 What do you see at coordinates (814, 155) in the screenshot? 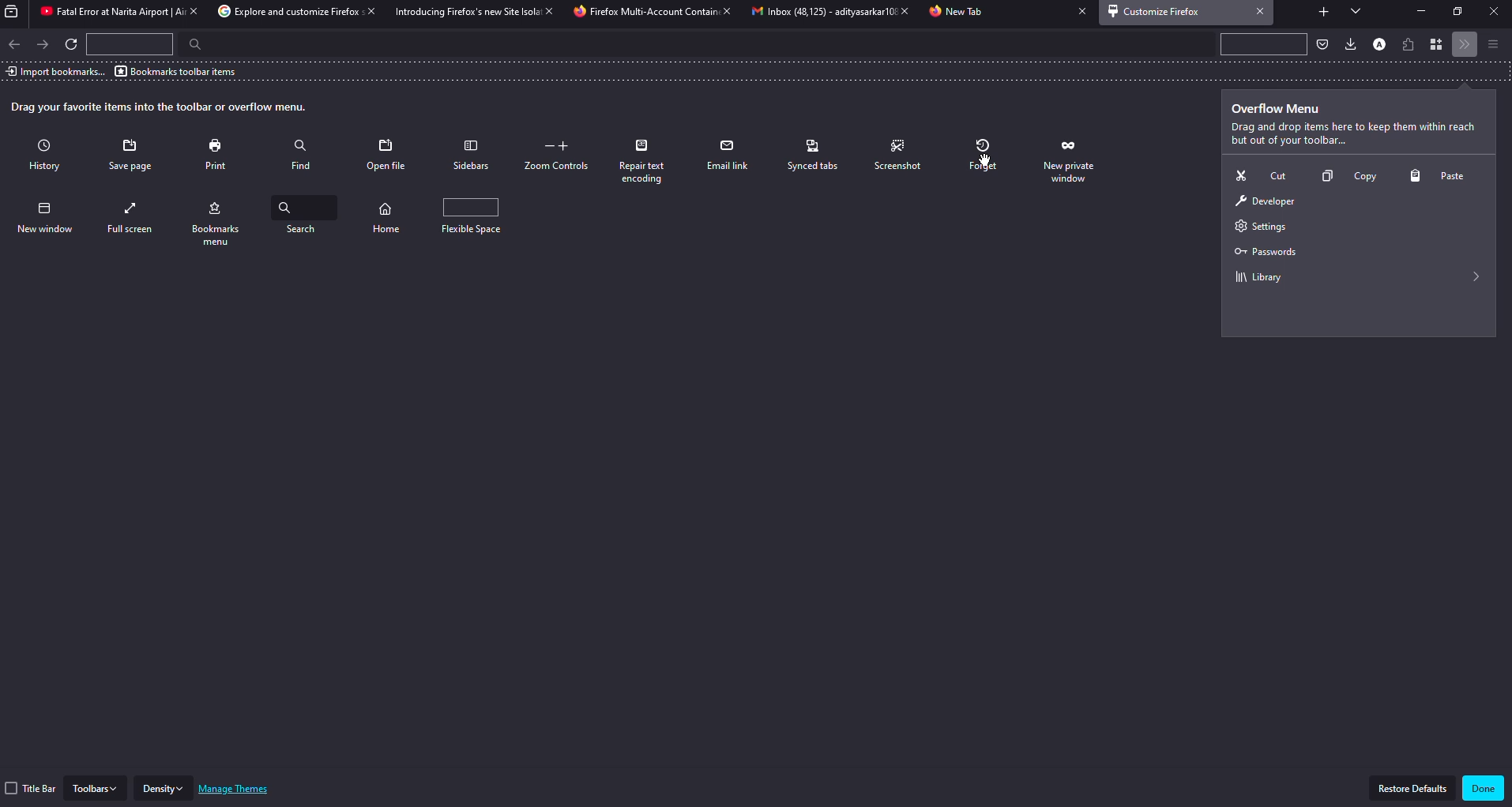
I see `synced tabs` at bounding box center [814, 155].